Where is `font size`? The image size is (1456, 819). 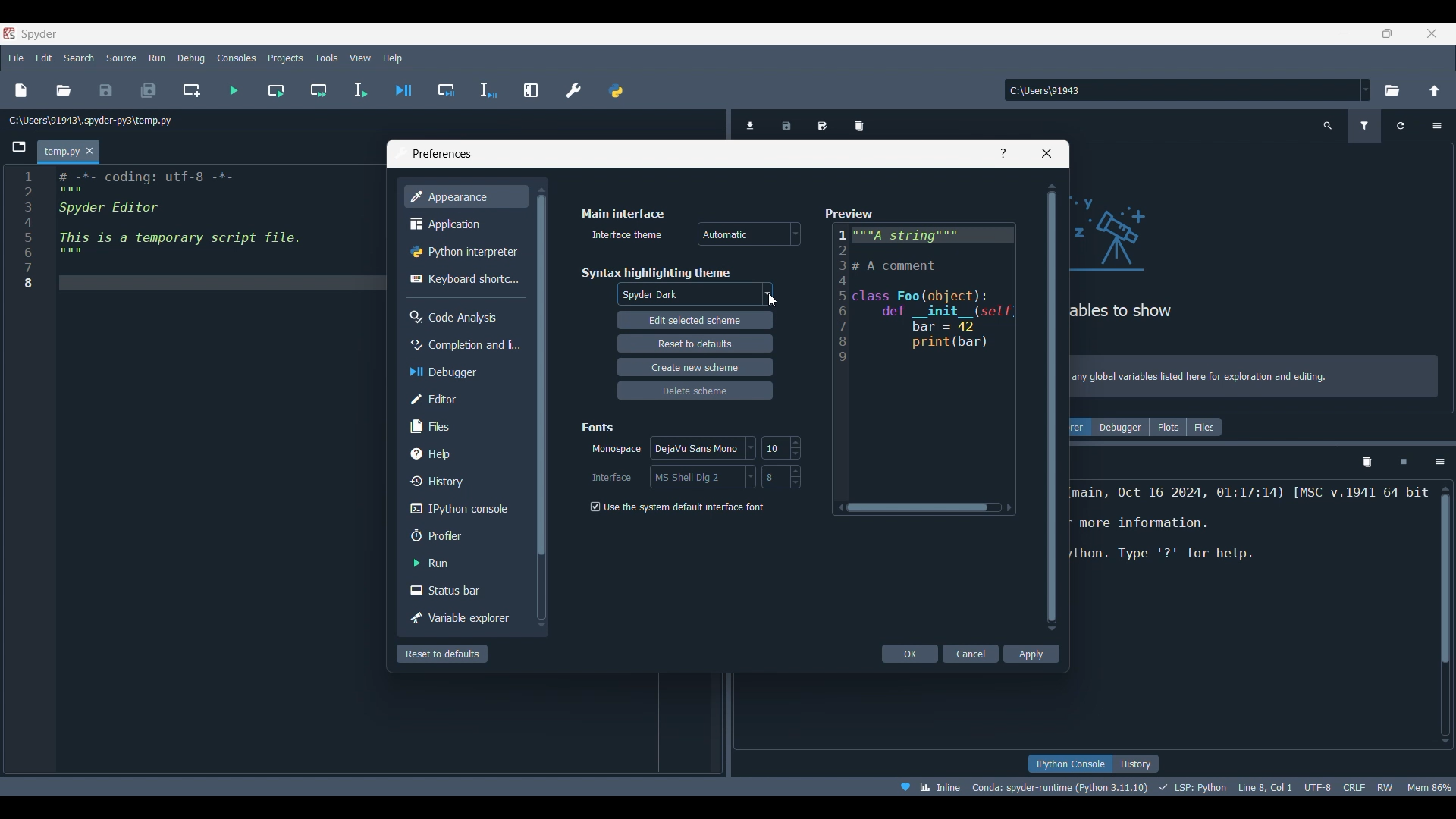 font size is located at coordinates (781, 476).